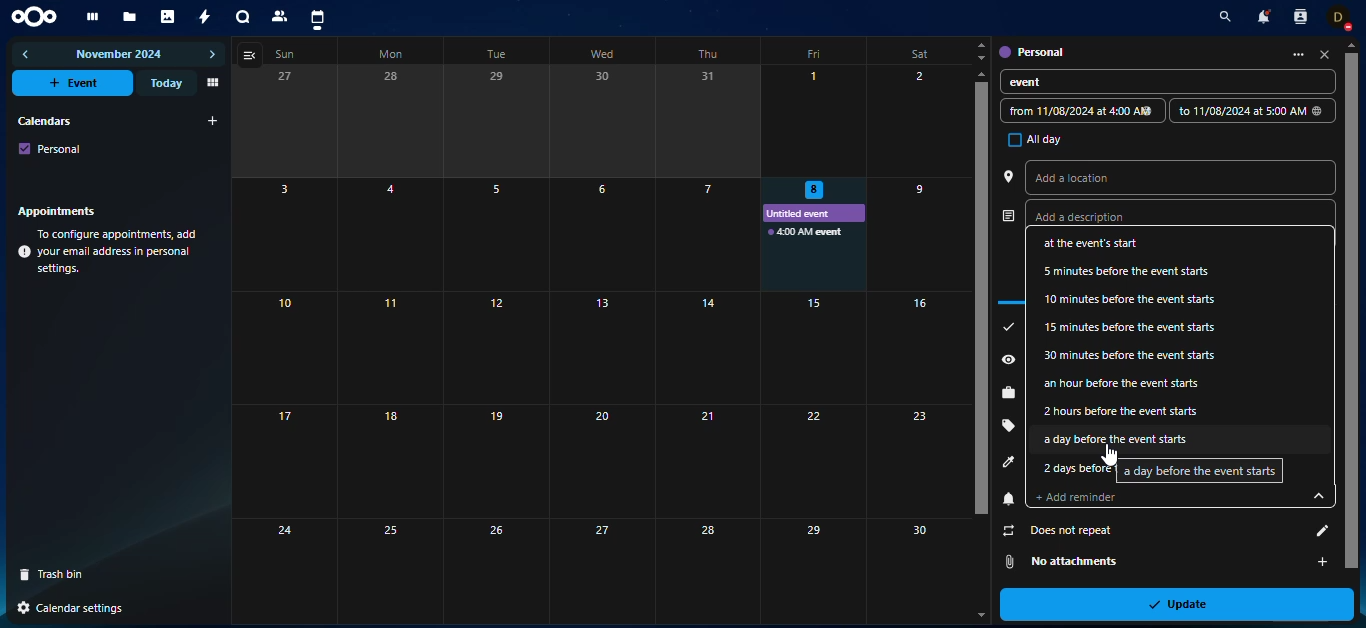  What do you see at coordinates (1007, 499) in the screenshot?
I see `reminder` at bounding box center [1007, 499].